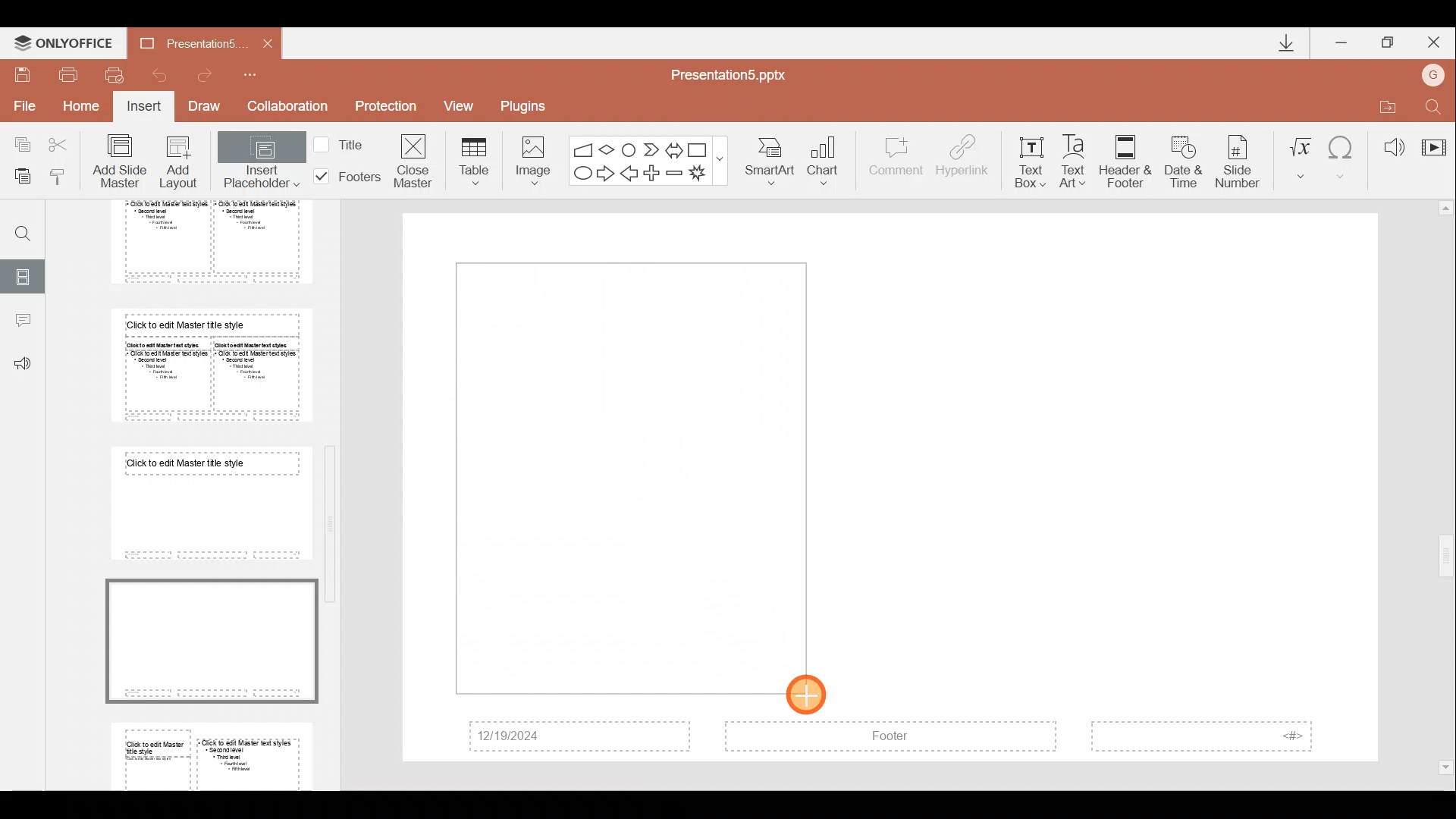 The height and width of the screenshot is (819, 1456). What do you see at coordinates (737, 74) in the screenshot?
I see `Document name` at bounding box center [737, 74].